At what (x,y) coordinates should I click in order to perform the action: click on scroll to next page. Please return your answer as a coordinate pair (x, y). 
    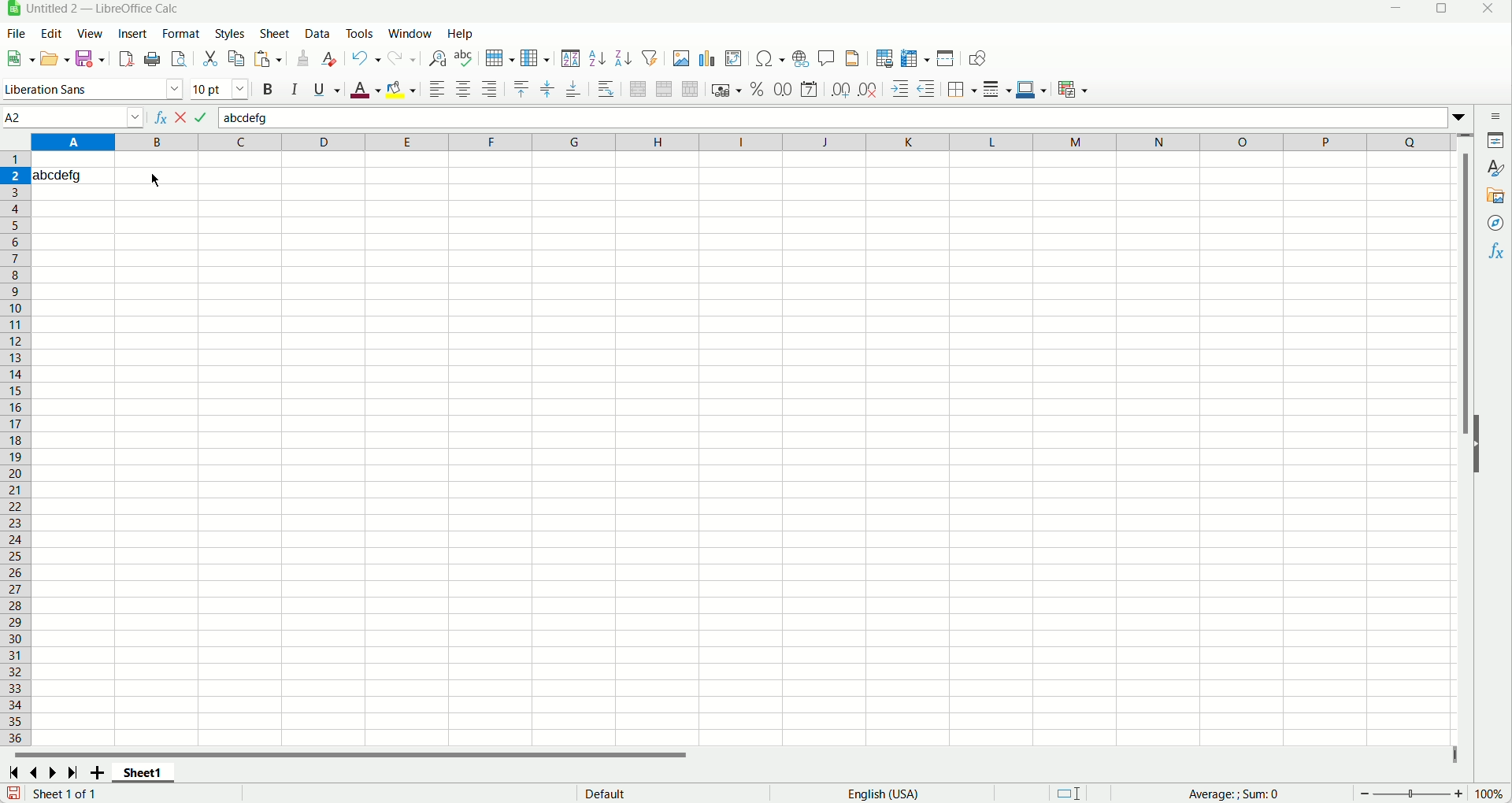
    Looking at the image, I should click on (54, 771).